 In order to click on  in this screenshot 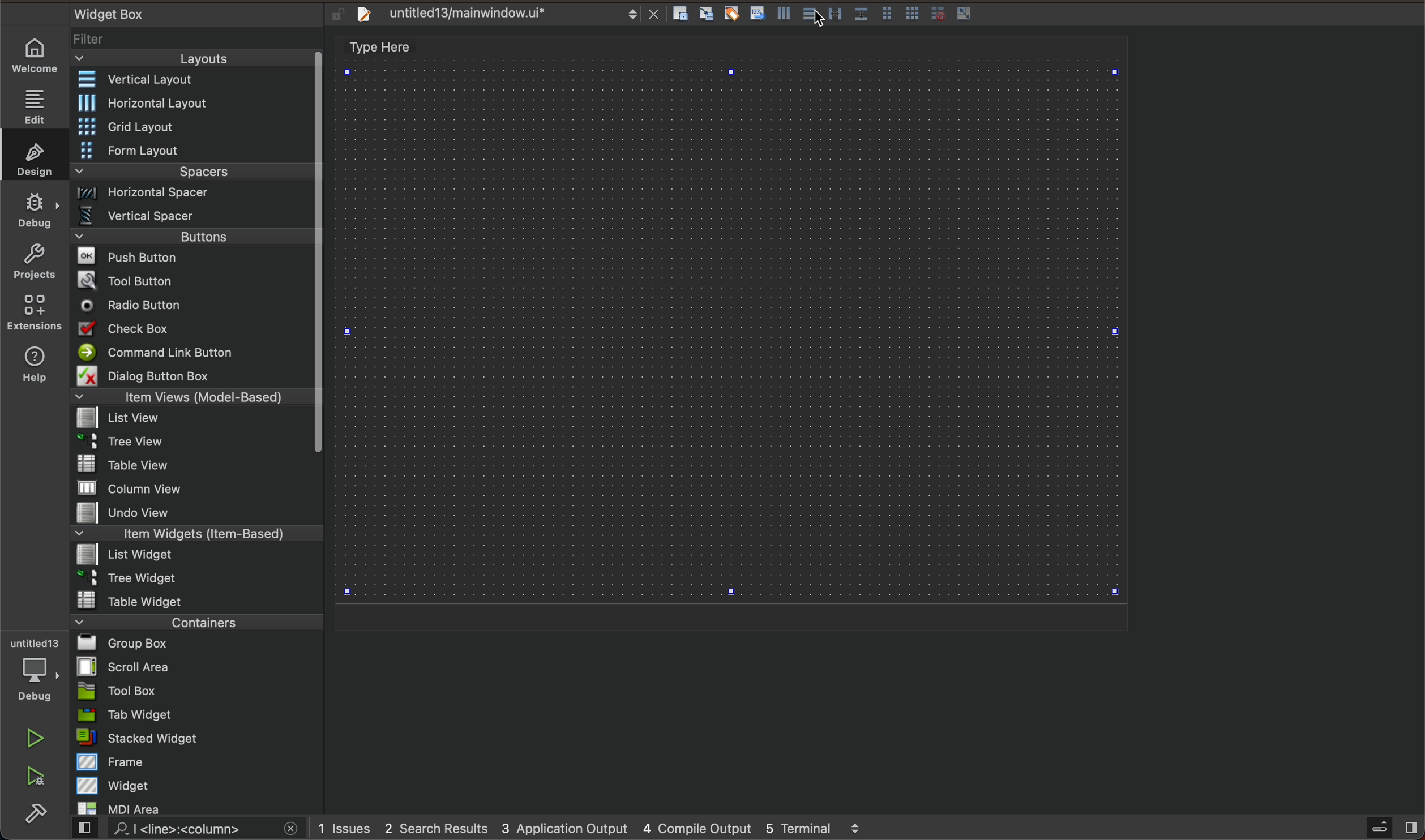, I will do `click(36, 738)`.